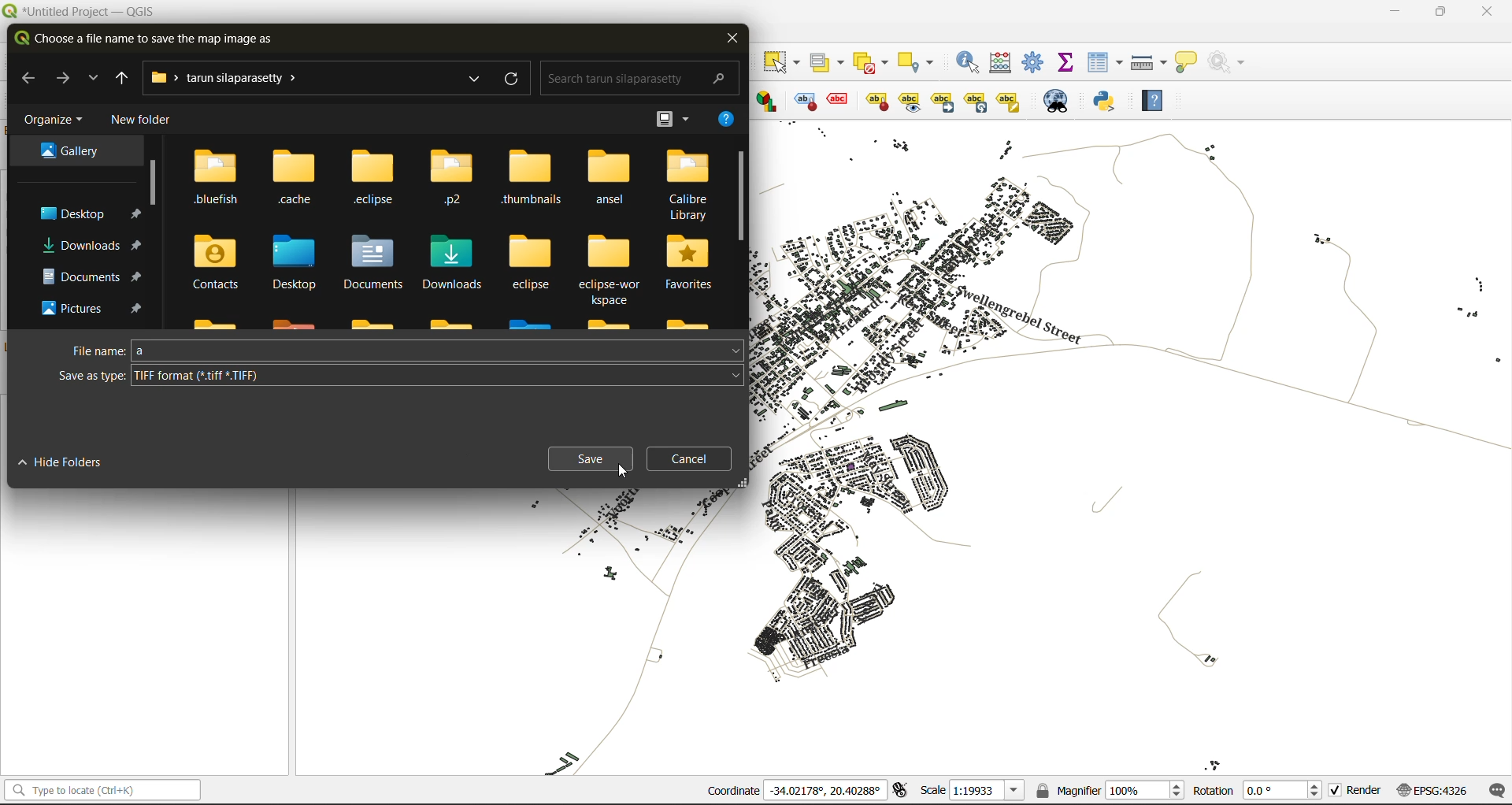 This screenshot has width=1512, height=805. Describe the element at coordinates (100, 791) in the screenshot. I see `status bar` at that location.